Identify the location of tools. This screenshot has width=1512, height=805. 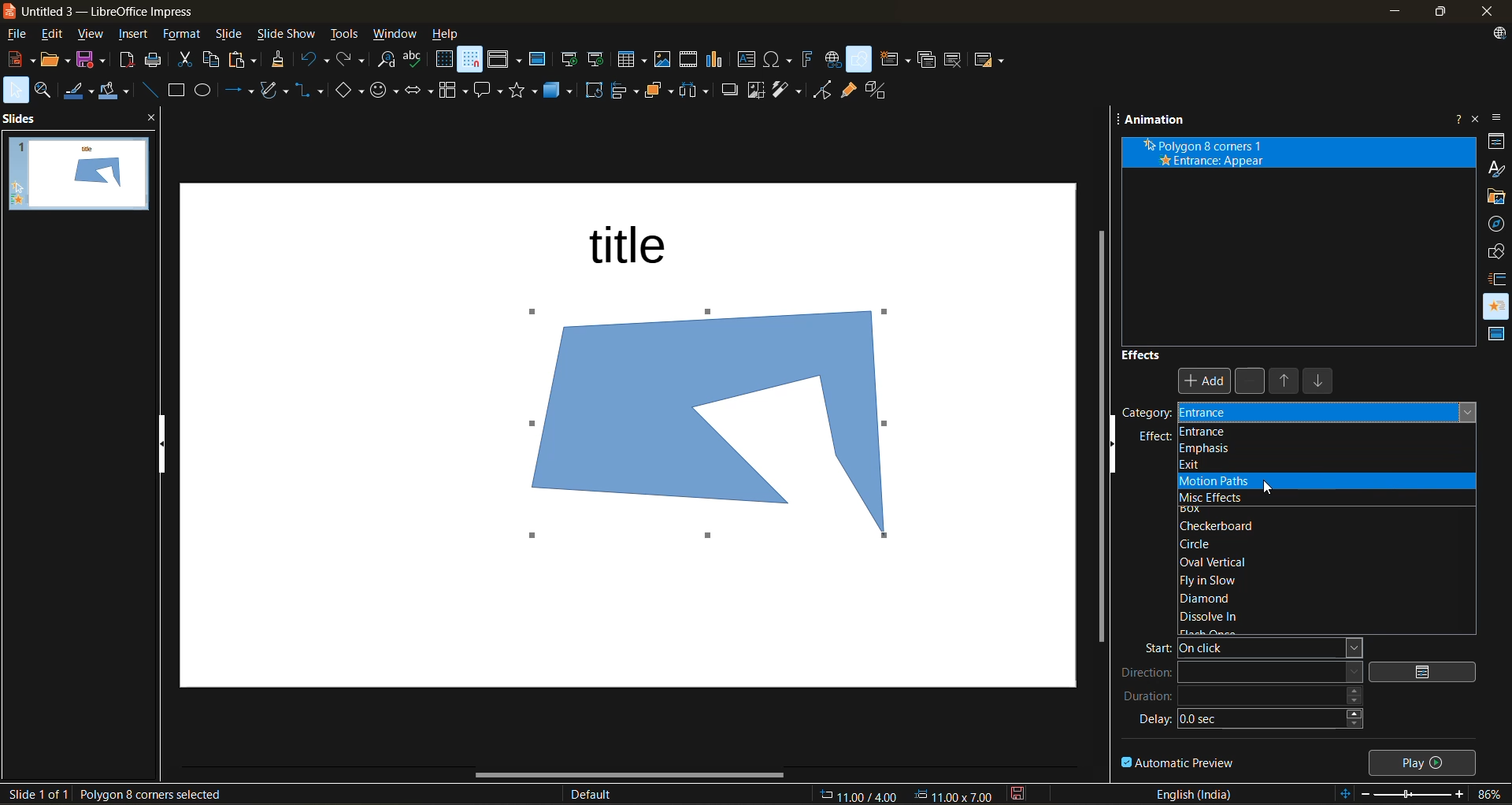
(350, 35).